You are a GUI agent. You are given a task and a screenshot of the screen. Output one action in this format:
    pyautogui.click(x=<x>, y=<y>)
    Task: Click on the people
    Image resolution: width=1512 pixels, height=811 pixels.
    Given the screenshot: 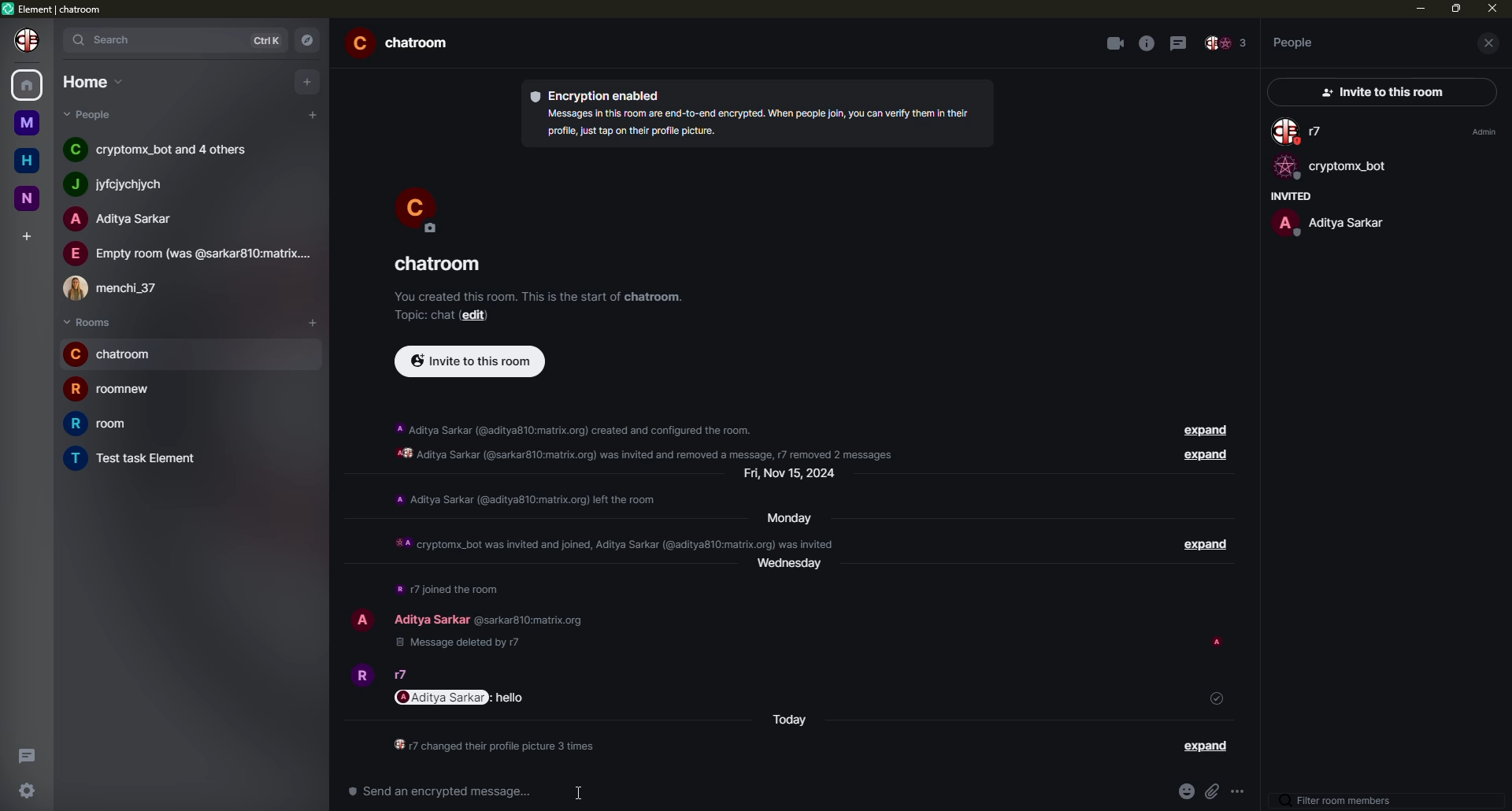 What is the action you would take?
    pyautogui.click(x=161, y=147)
    